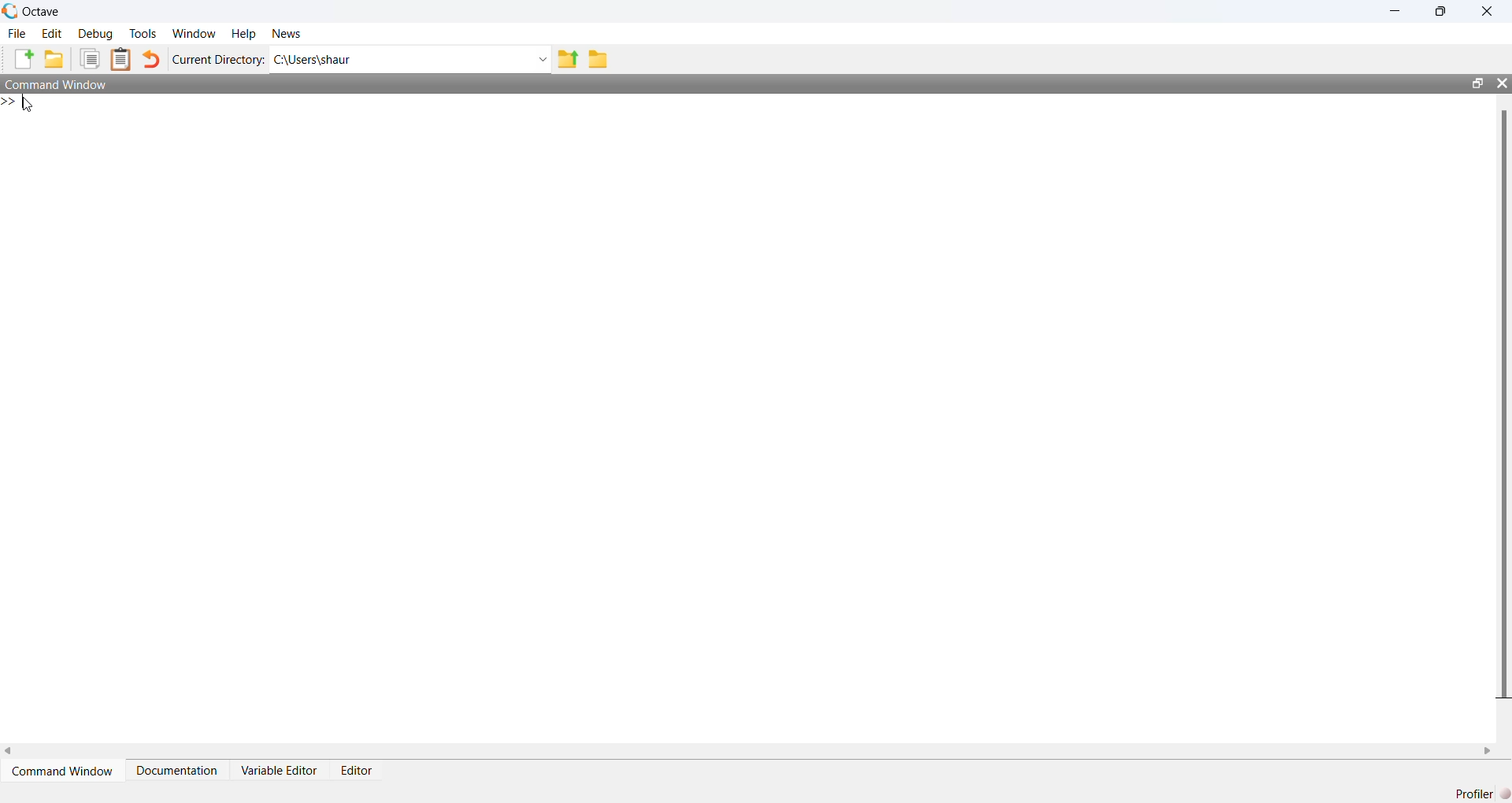 The height and width of the screenshot is (803, 1512). Describe the element at coordinates (287, 33) in the screenshot. I see `news` at that location.